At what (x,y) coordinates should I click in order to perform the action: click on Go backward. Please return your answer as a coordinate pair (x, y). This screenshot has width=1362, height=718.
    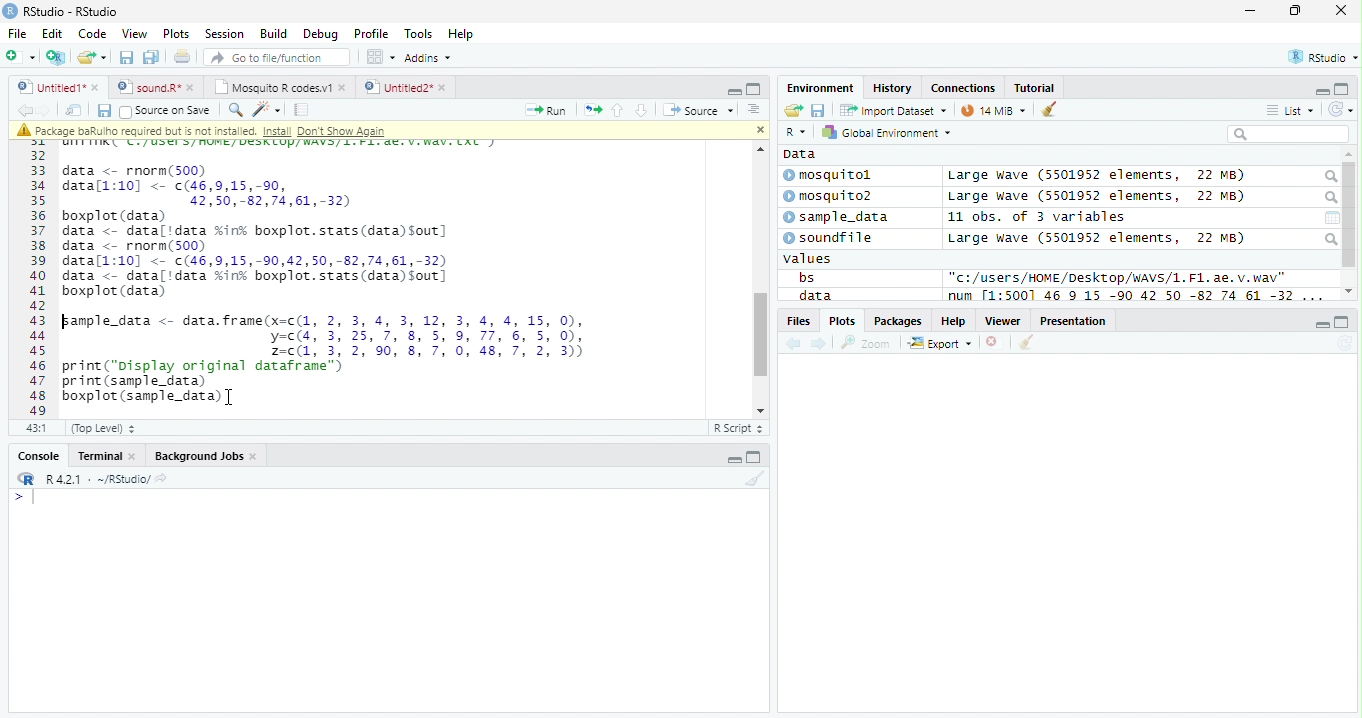
    Looking at the image, I should click on (24, 109).